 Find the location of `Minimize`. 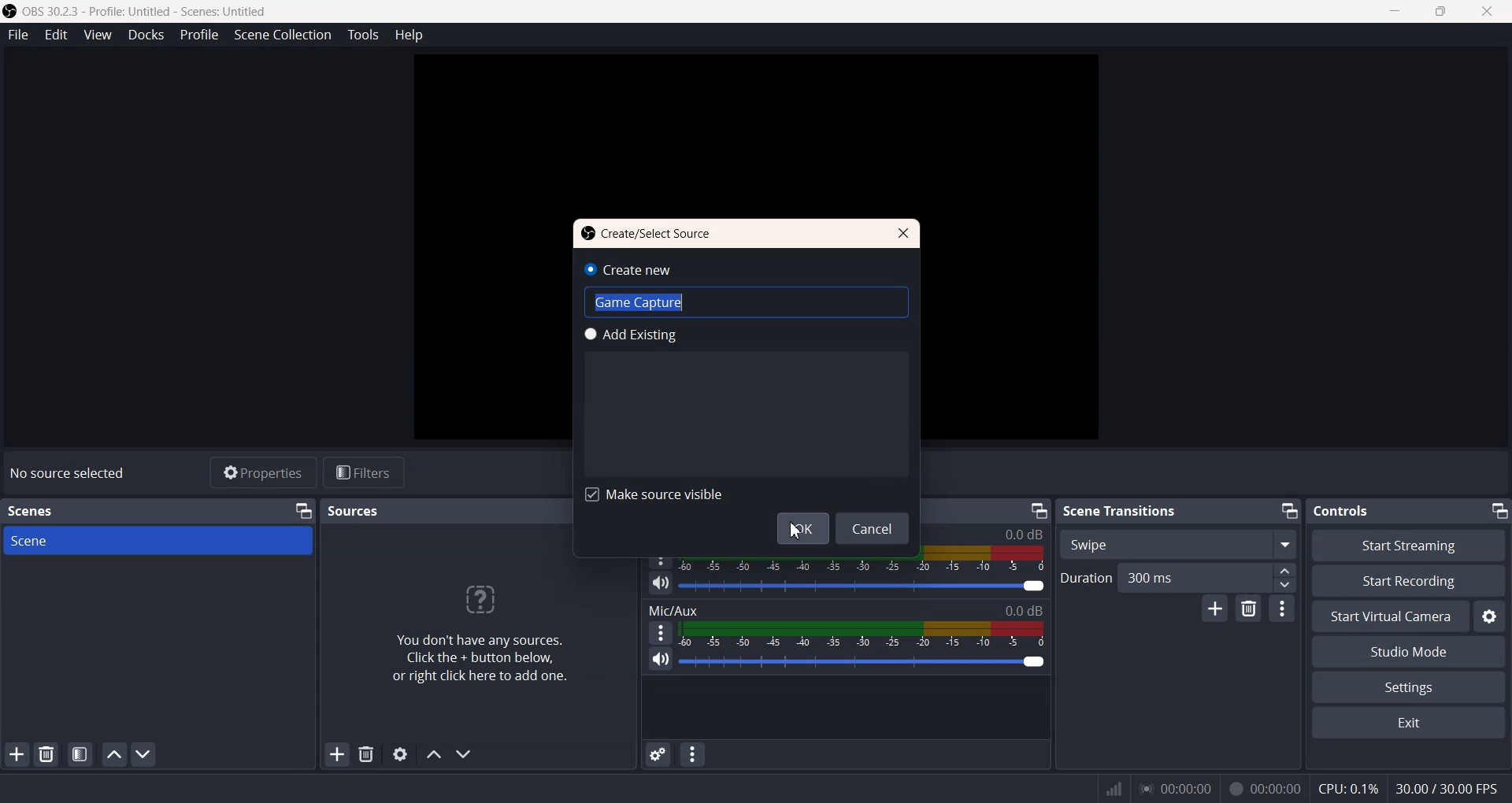

Minimize is located at coordinates (303, 511).